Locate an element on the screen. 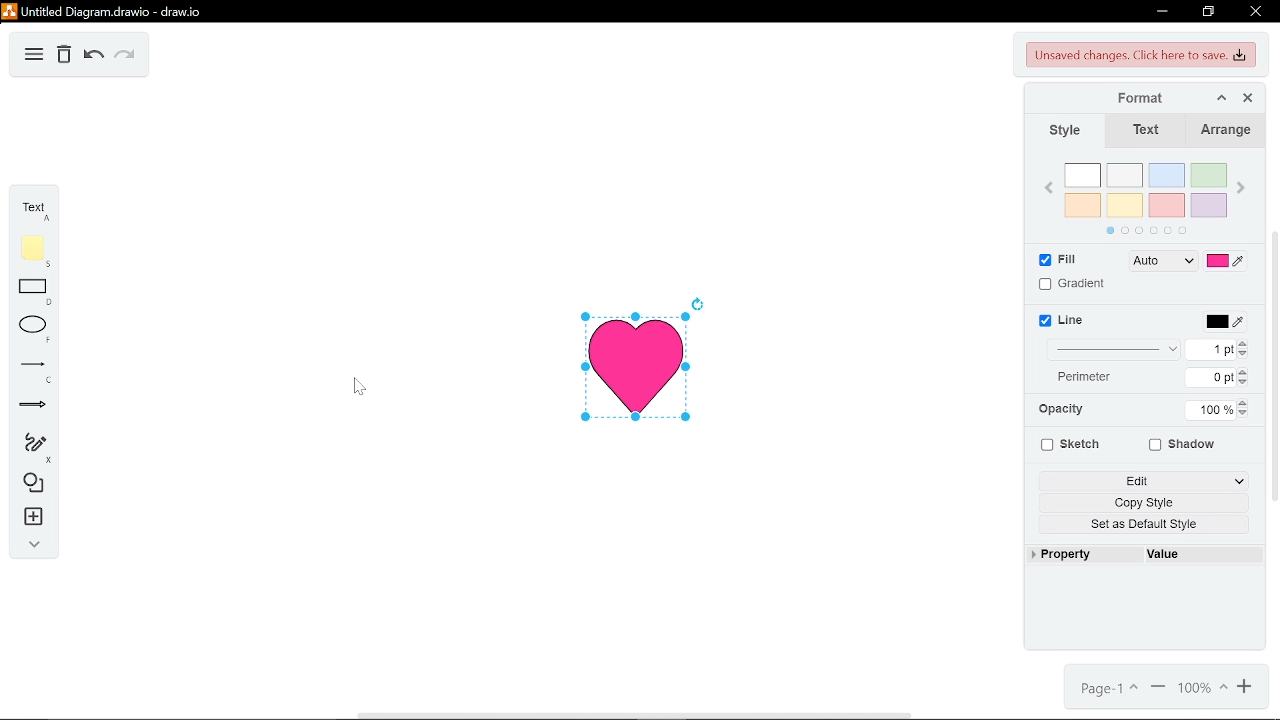 Image resolution: width=1280 pixels, height=720 pixels. colors is located at coordinates (1146, 196).